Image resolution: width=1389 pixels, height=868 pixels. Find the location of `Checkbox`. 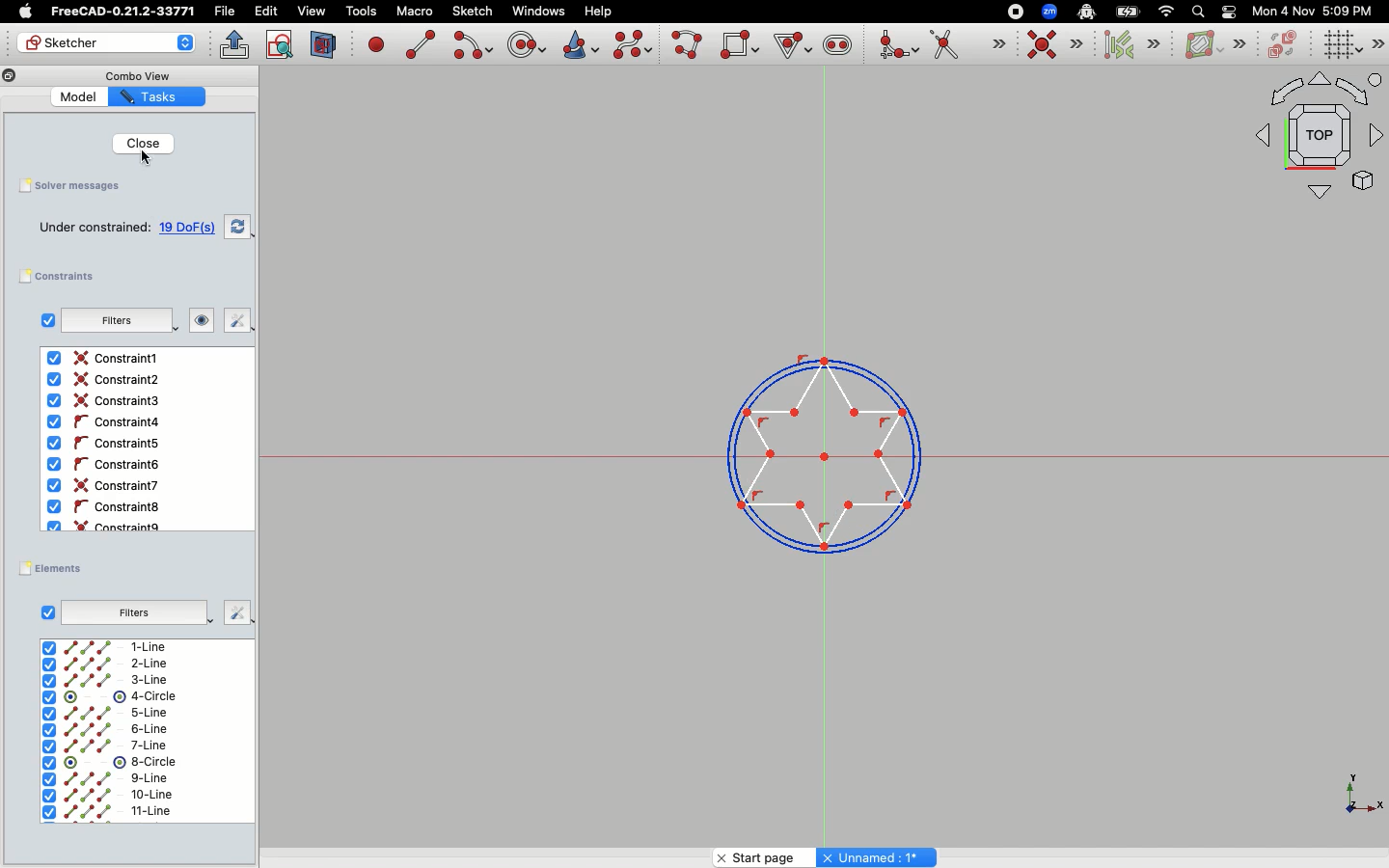

Checkbox is located at coordinates (43, 320).